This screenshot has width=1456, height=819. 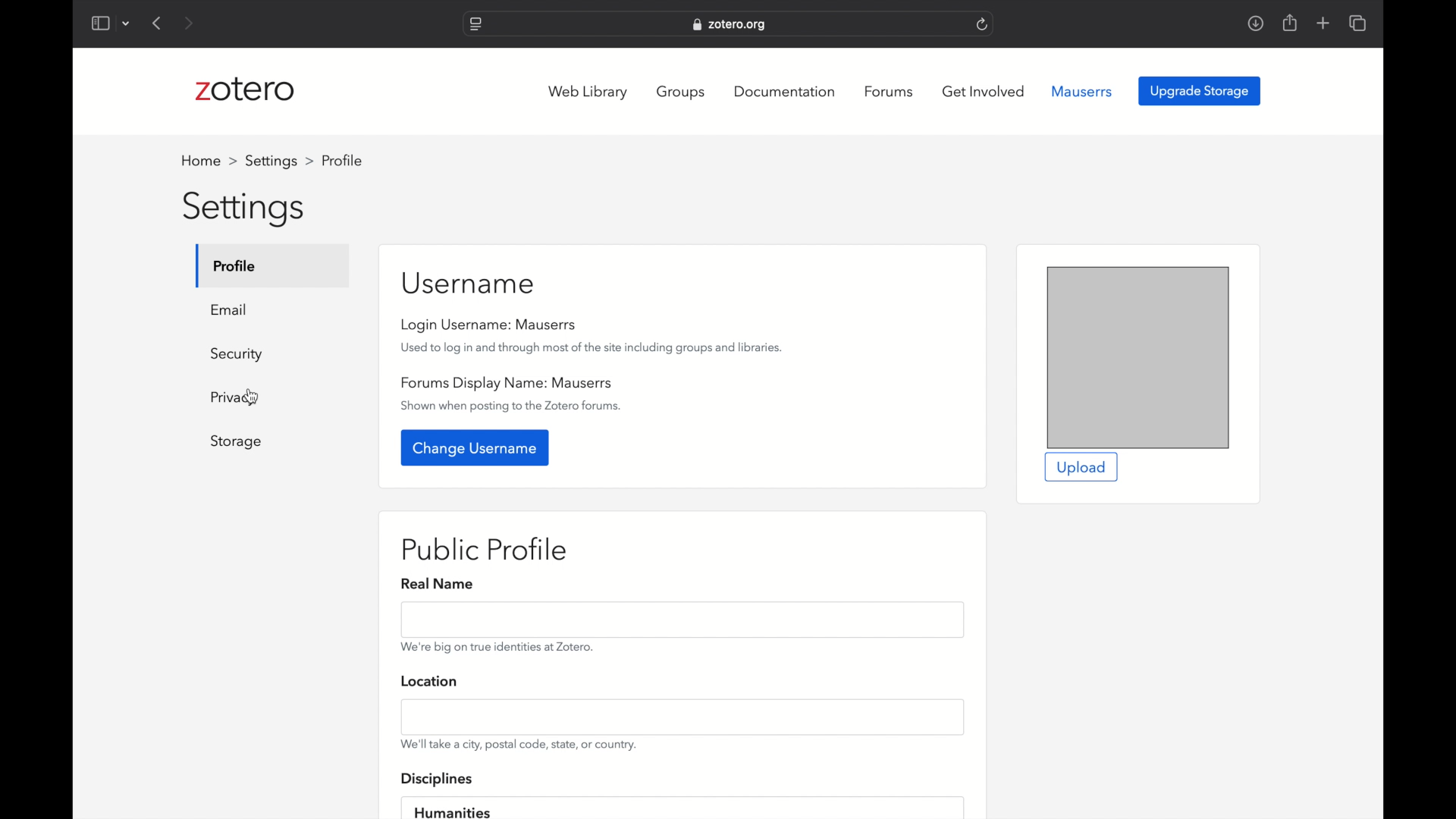 What do you see at coordinates (127, 24) in the screenshot?
I see `dropdown` at bounding box center [127, 24].